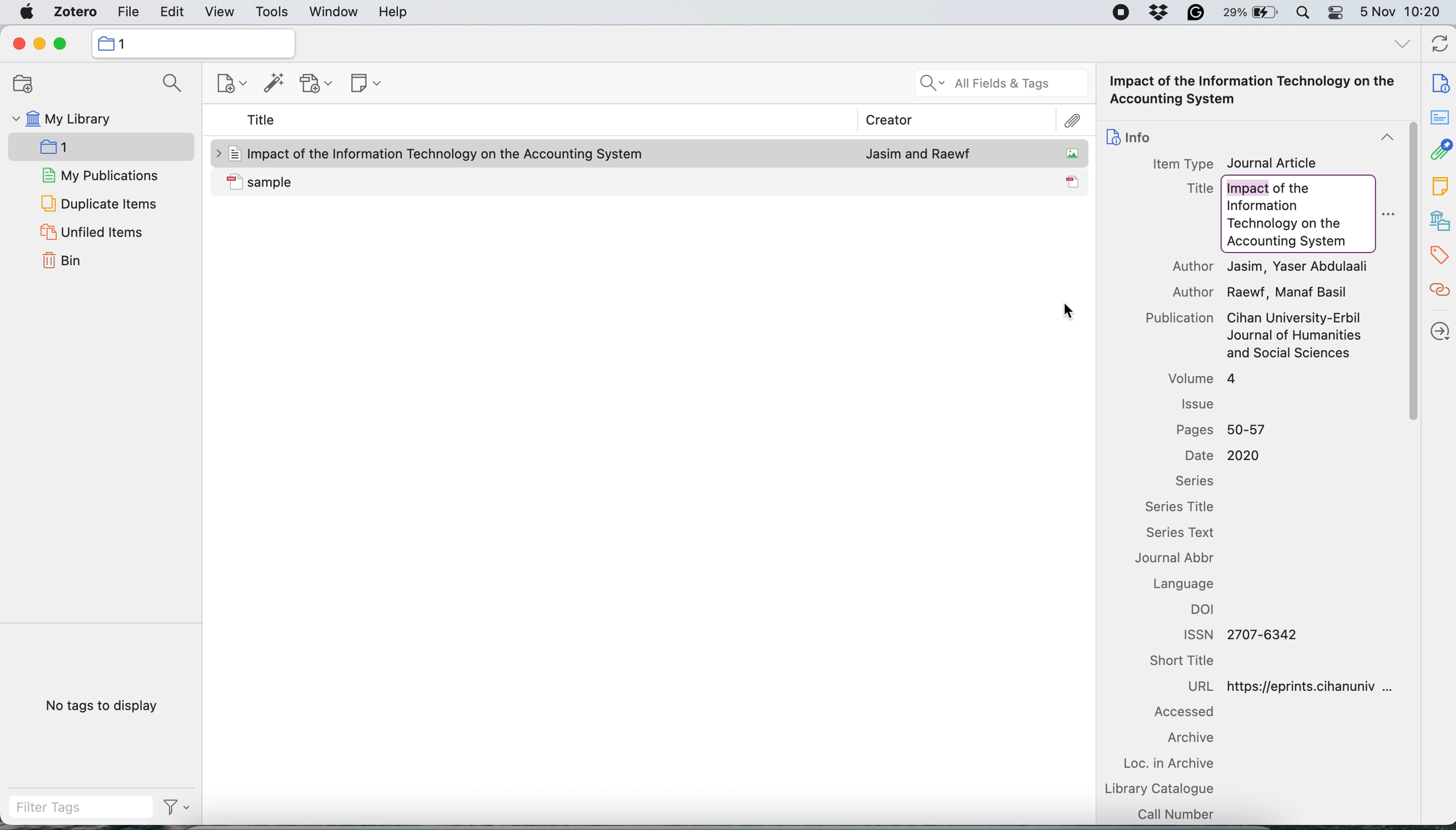 The image size is (1456, 830). I want to click on series text, so click(1187, 533).